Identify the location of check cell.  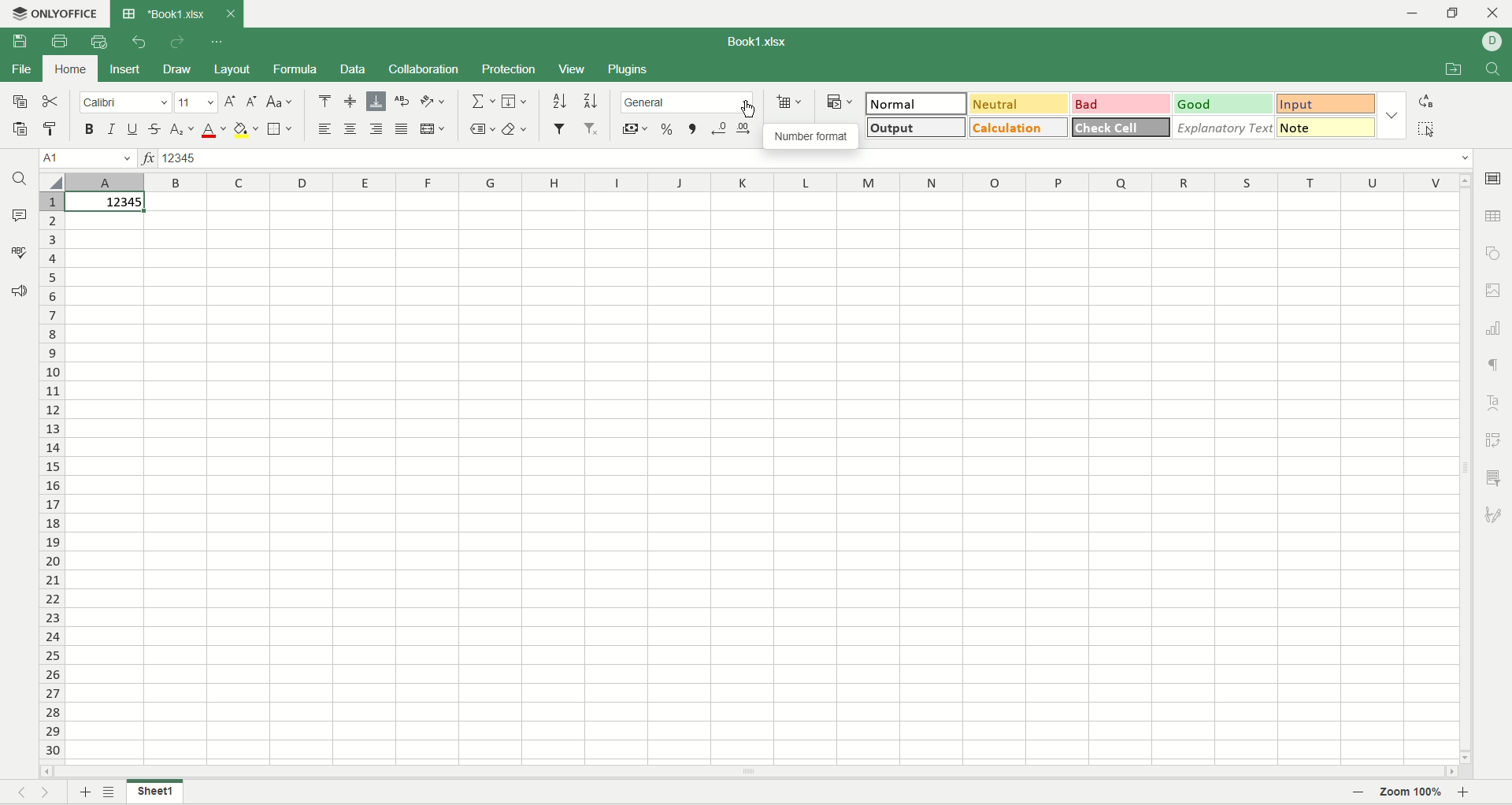
(1120, 128).